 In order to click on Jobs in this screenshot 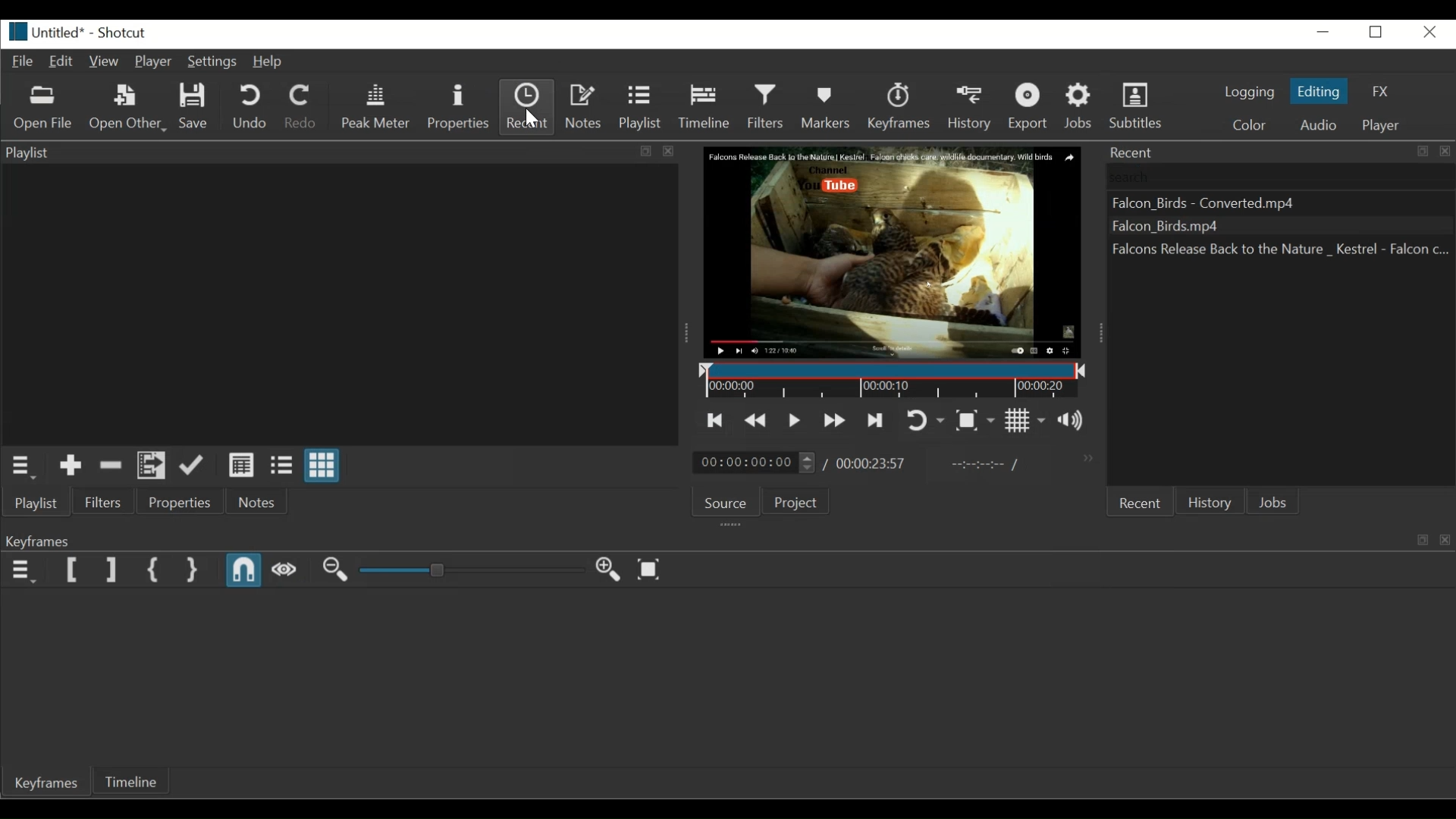, I will do `click(1272, 501)`.